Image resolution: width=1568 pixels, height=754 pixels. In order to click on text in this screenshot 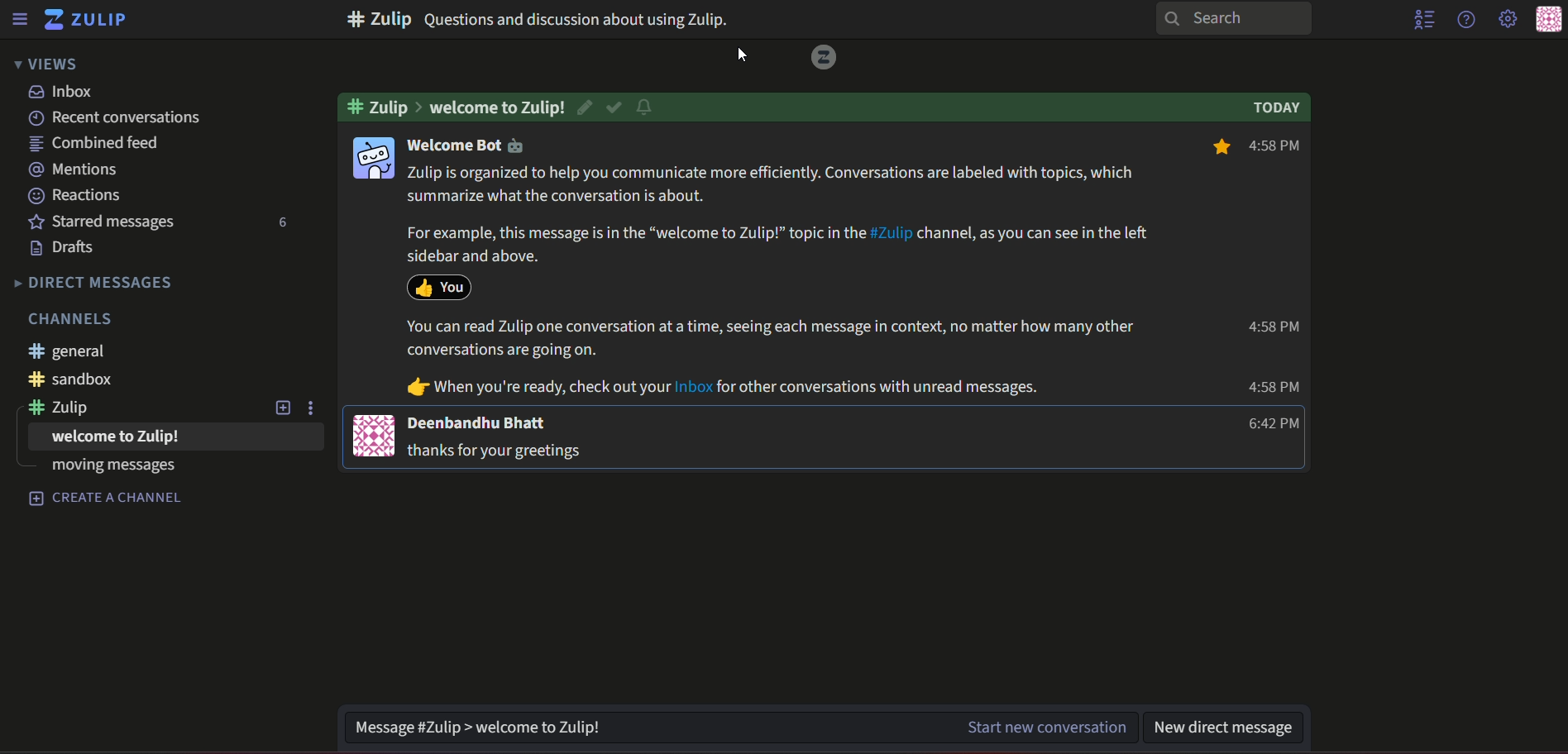, I will do `click(591, 19)`.